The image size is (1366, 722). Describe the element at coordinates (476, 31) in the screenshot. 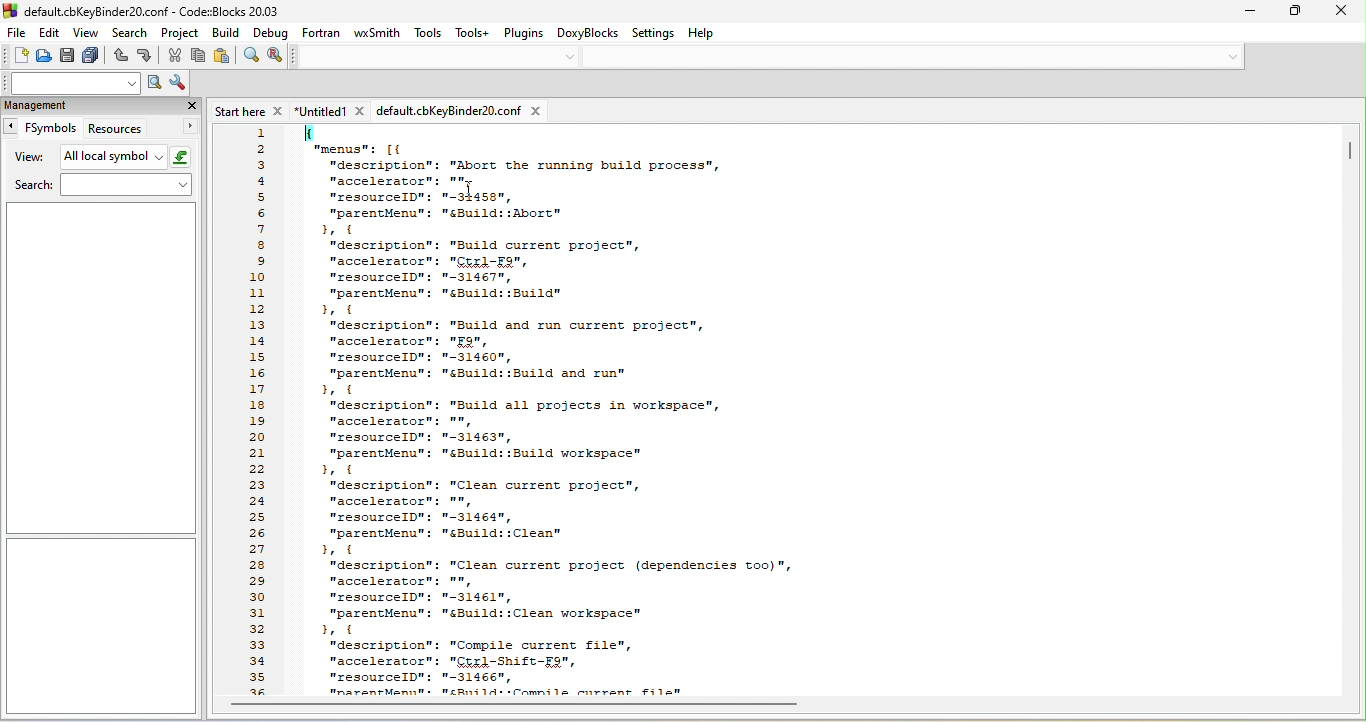

I see `tools++` at that location.